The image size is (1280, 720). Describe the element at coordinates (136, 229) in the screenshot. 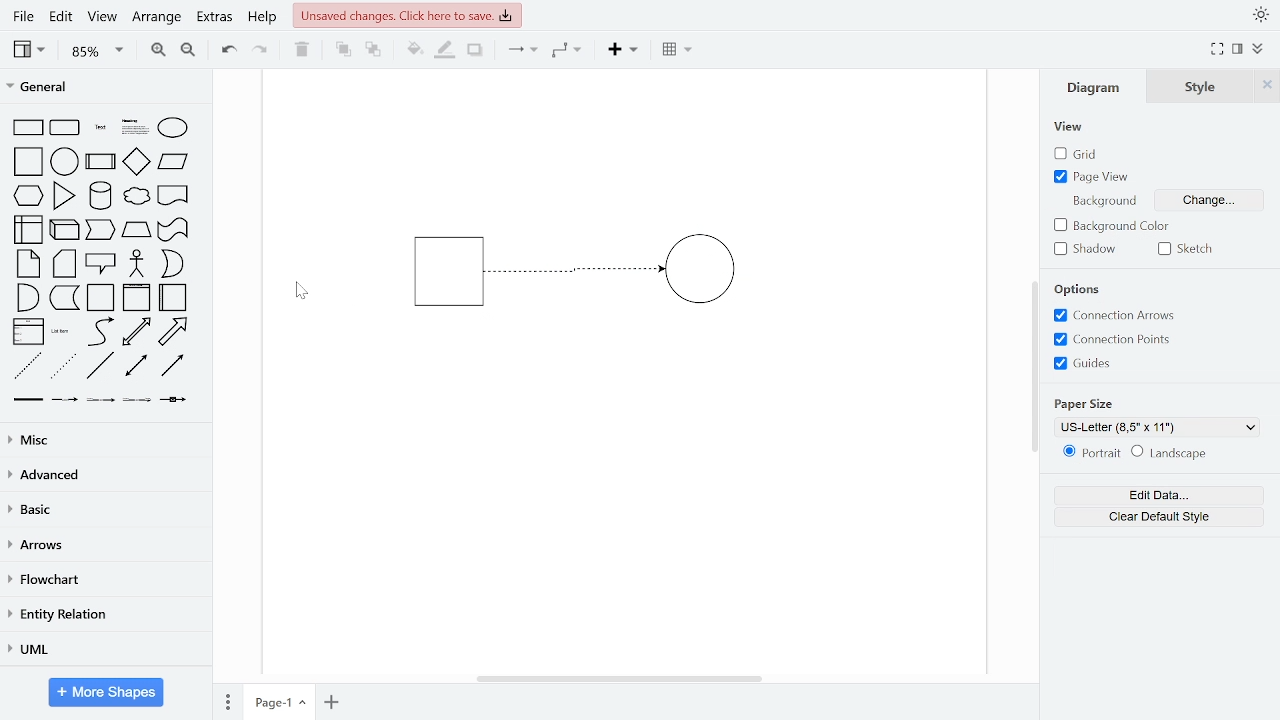

I see `trapezoid` at that location.